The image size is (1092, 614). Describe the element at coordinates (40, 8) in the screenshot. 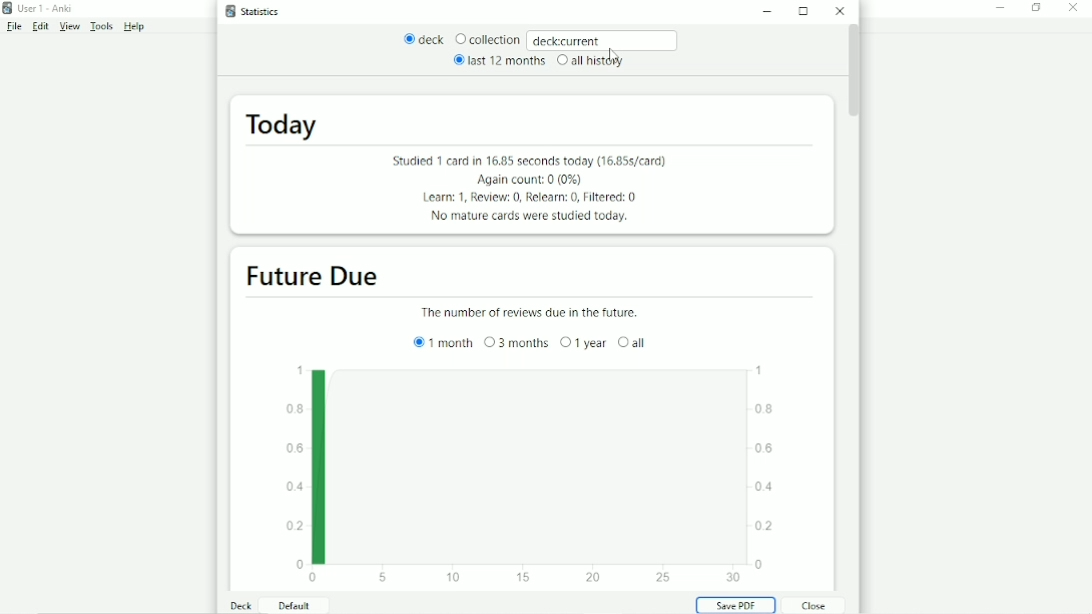

I see `User 1 - Anki` at that location.